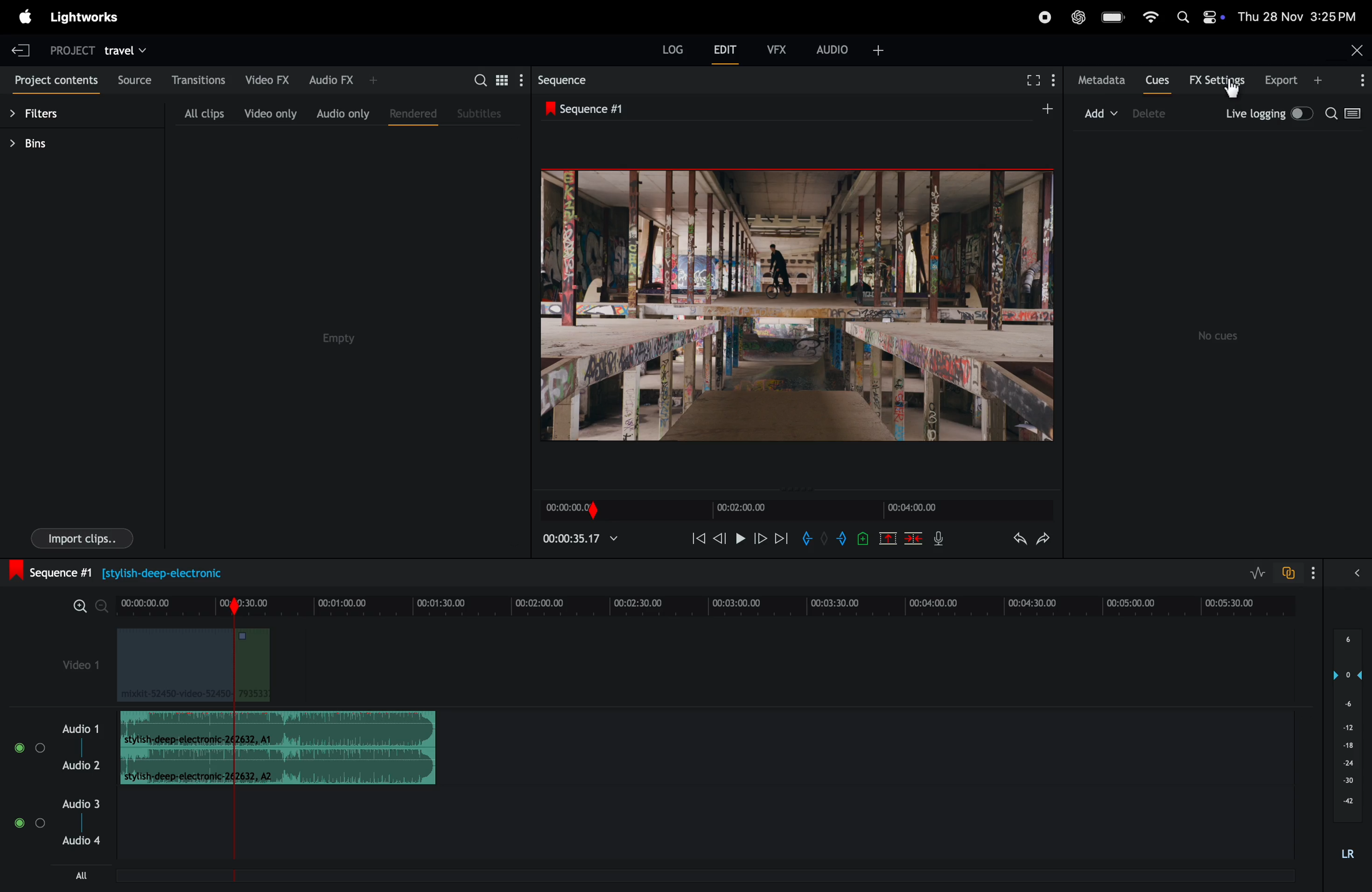  I want to click on solo track, so click(40, 747).